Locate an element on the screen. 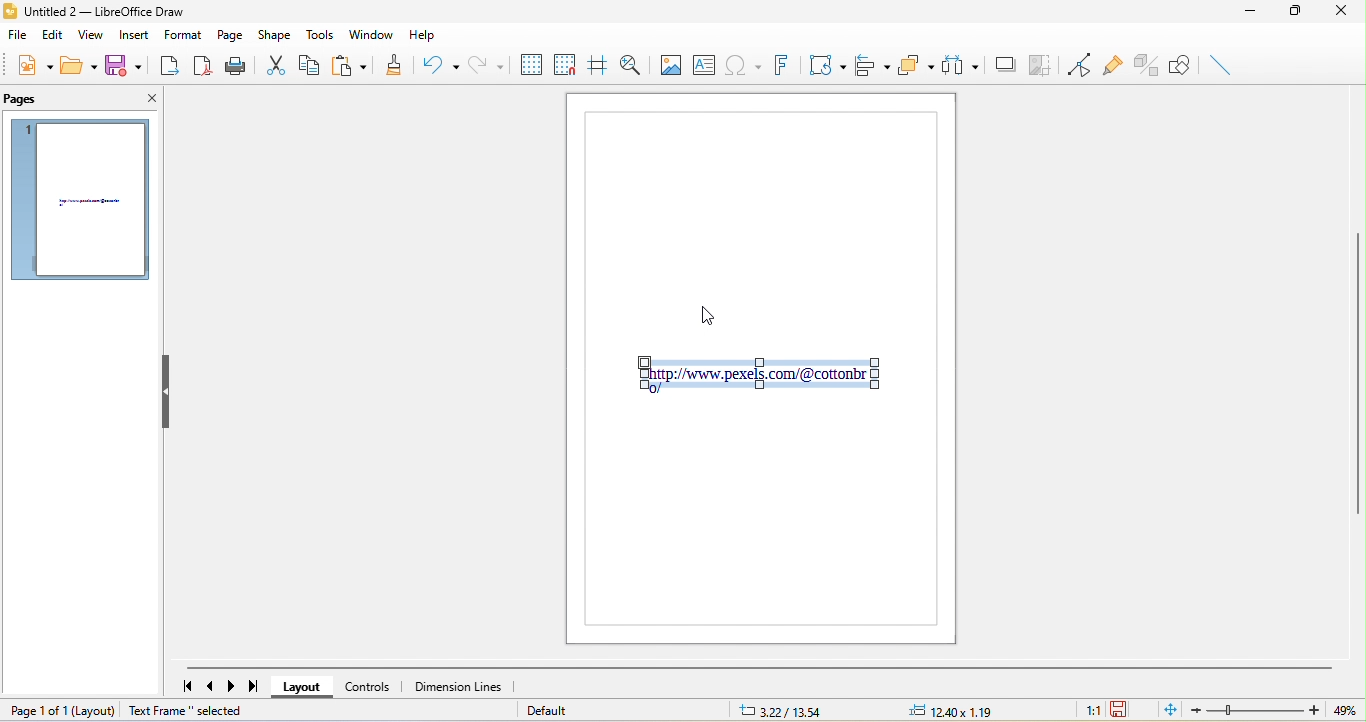 Image resolution: width=1366 pixels, height=722 pixels. Inserted an external video link  is located at coordinates (760, 376).